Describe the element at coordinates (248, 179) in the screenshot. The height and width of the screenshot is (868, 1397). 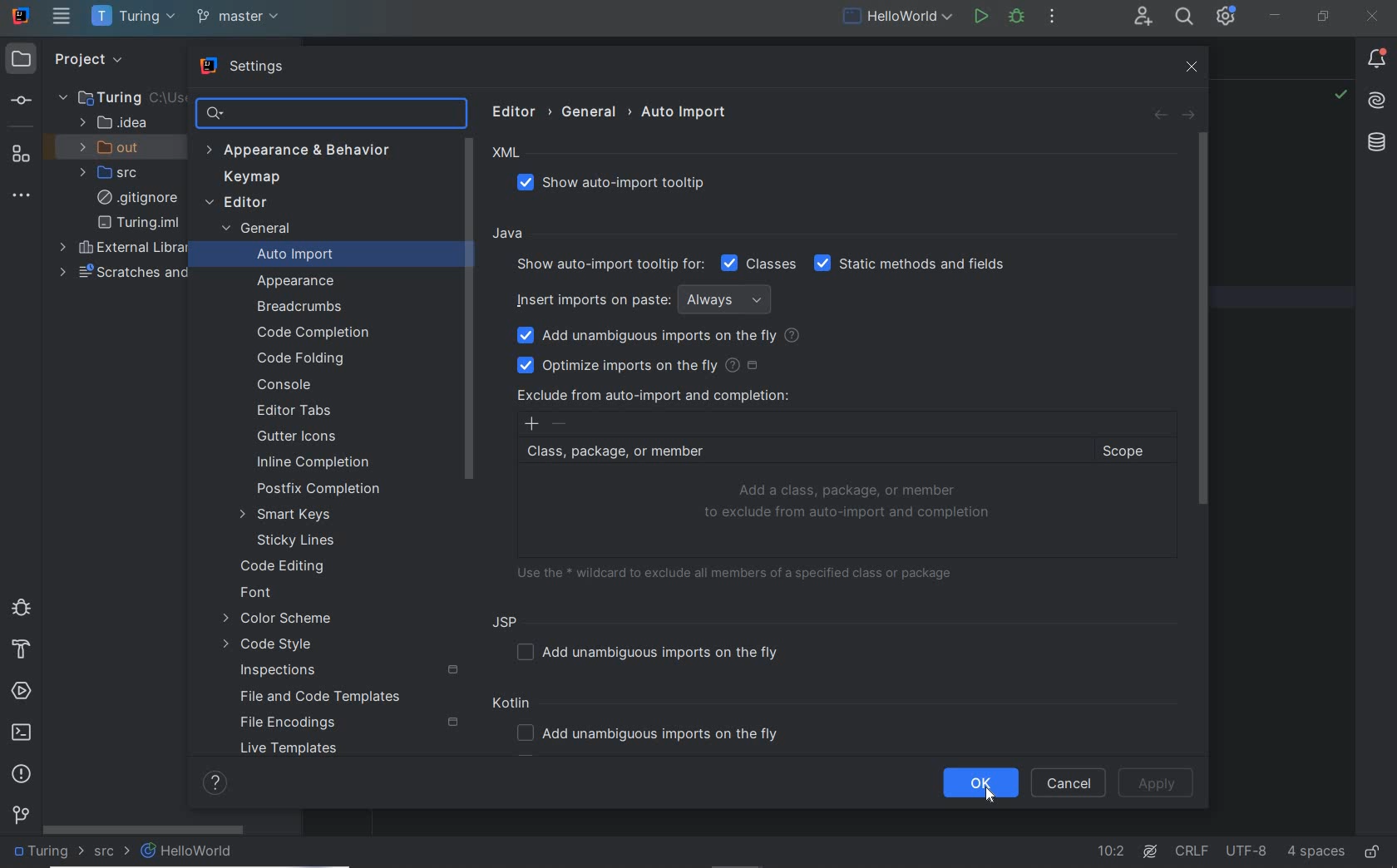
I see `KEYMAP` at that location.